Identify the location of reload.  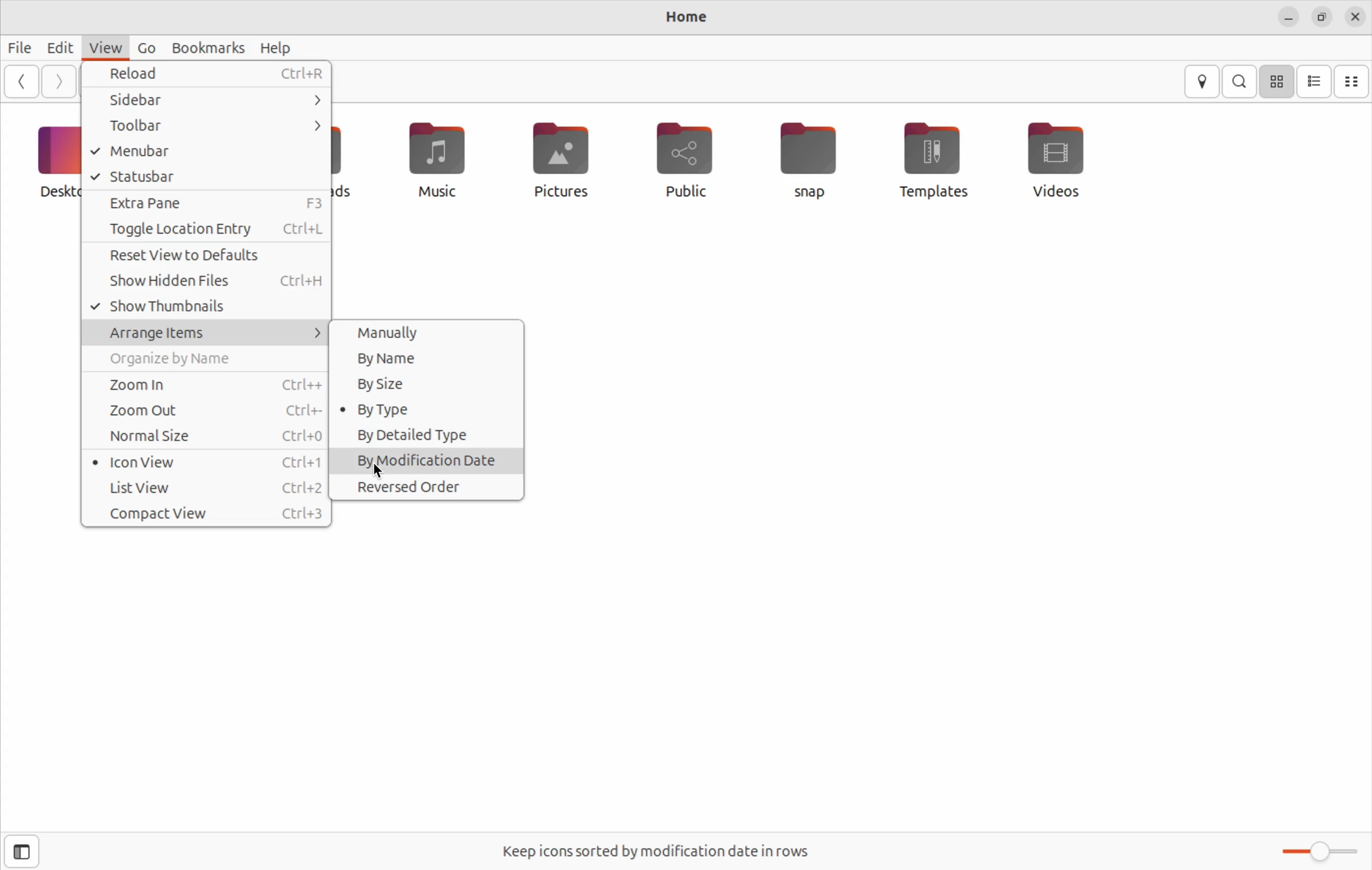
(210, 75).